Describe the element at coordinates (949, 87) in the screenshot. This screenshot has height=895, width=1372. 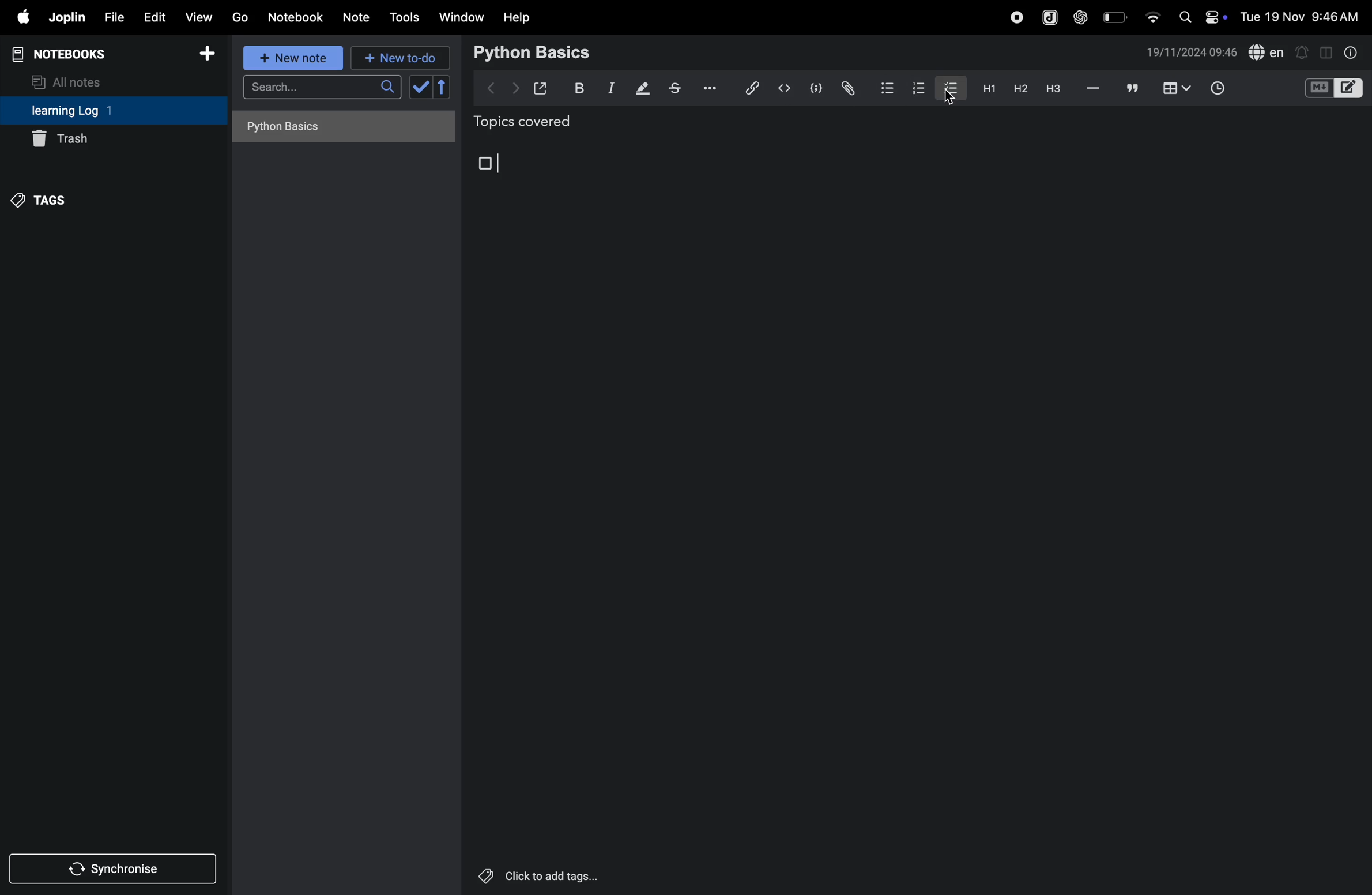
I see `checkbox` at that location.